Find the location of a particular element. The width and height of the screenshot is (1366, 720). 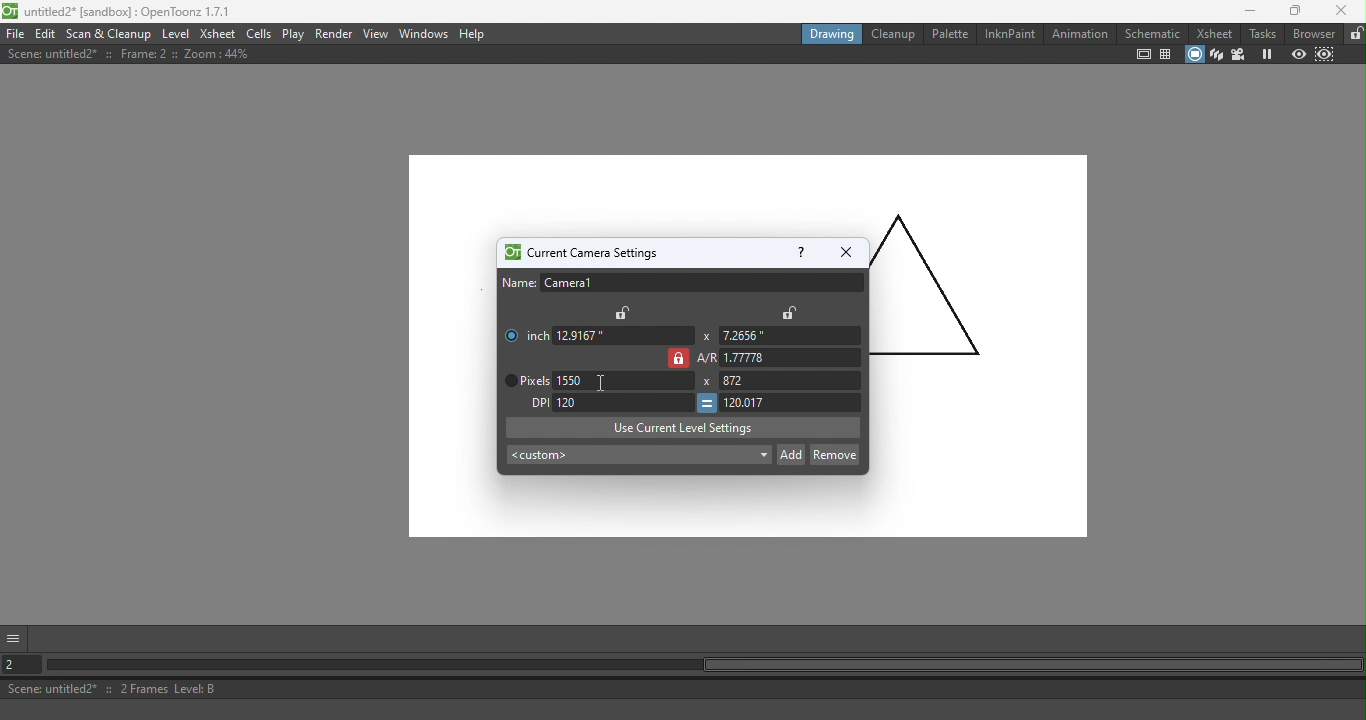

Drawing is located at coordinates (829, 33).